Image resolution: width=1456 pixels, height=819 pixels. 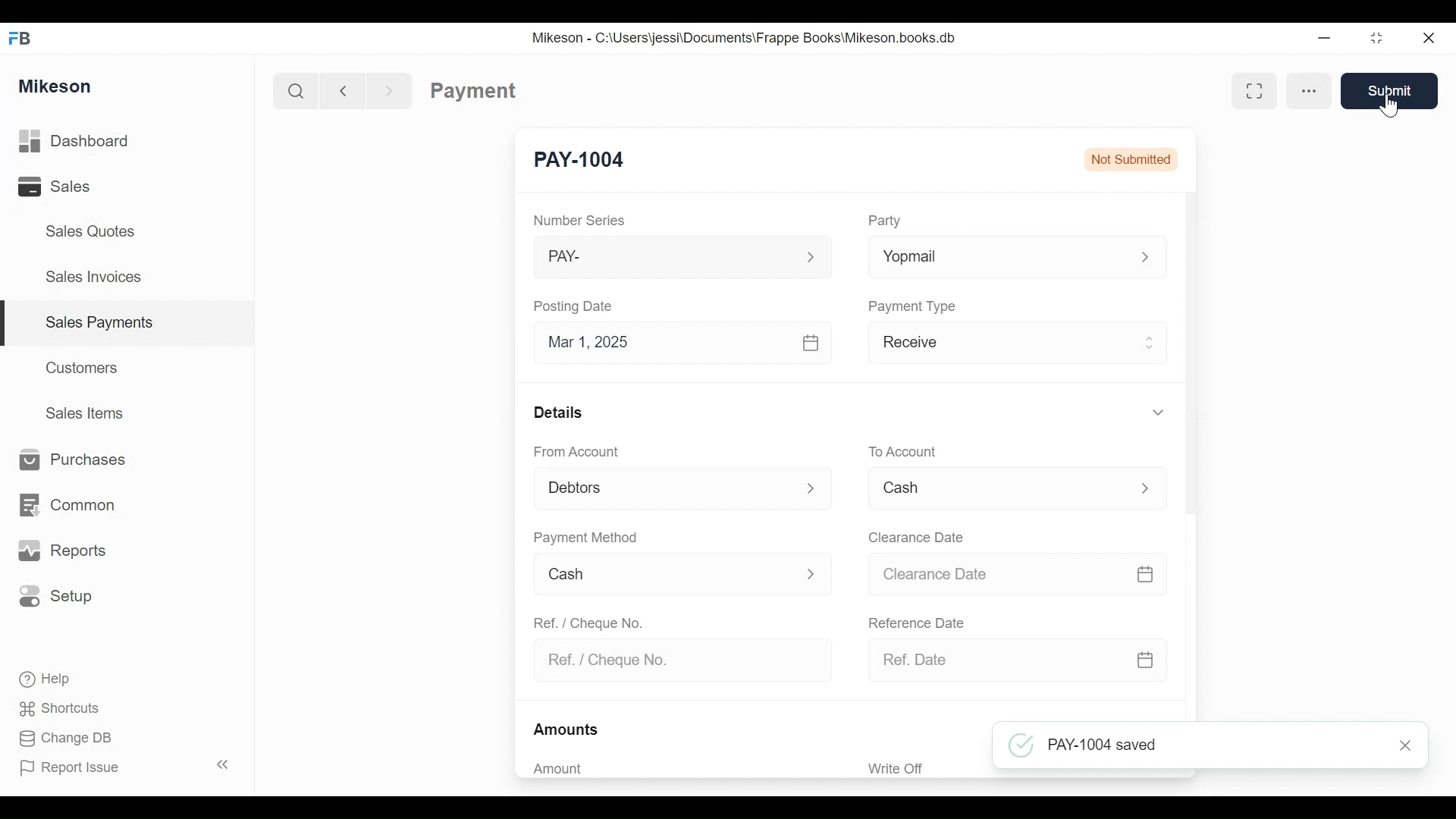 What do you see at coordinates (687, 660) in the screenshot?
I see `Ref. / Cheque No.` at bounding box center [687, 660].